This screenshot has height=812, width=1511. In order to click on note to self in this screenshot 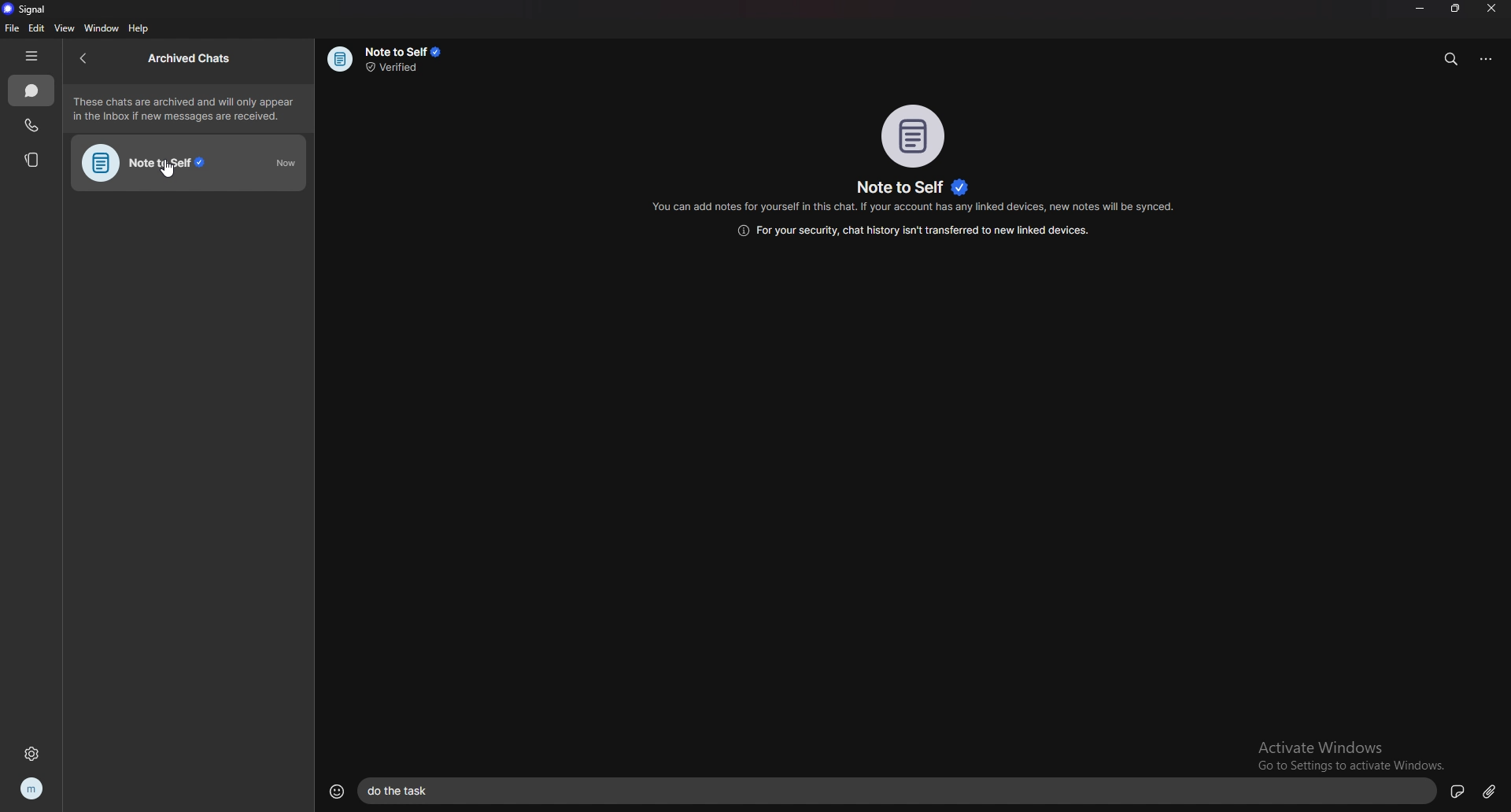, I will do `click(188, 164)`.